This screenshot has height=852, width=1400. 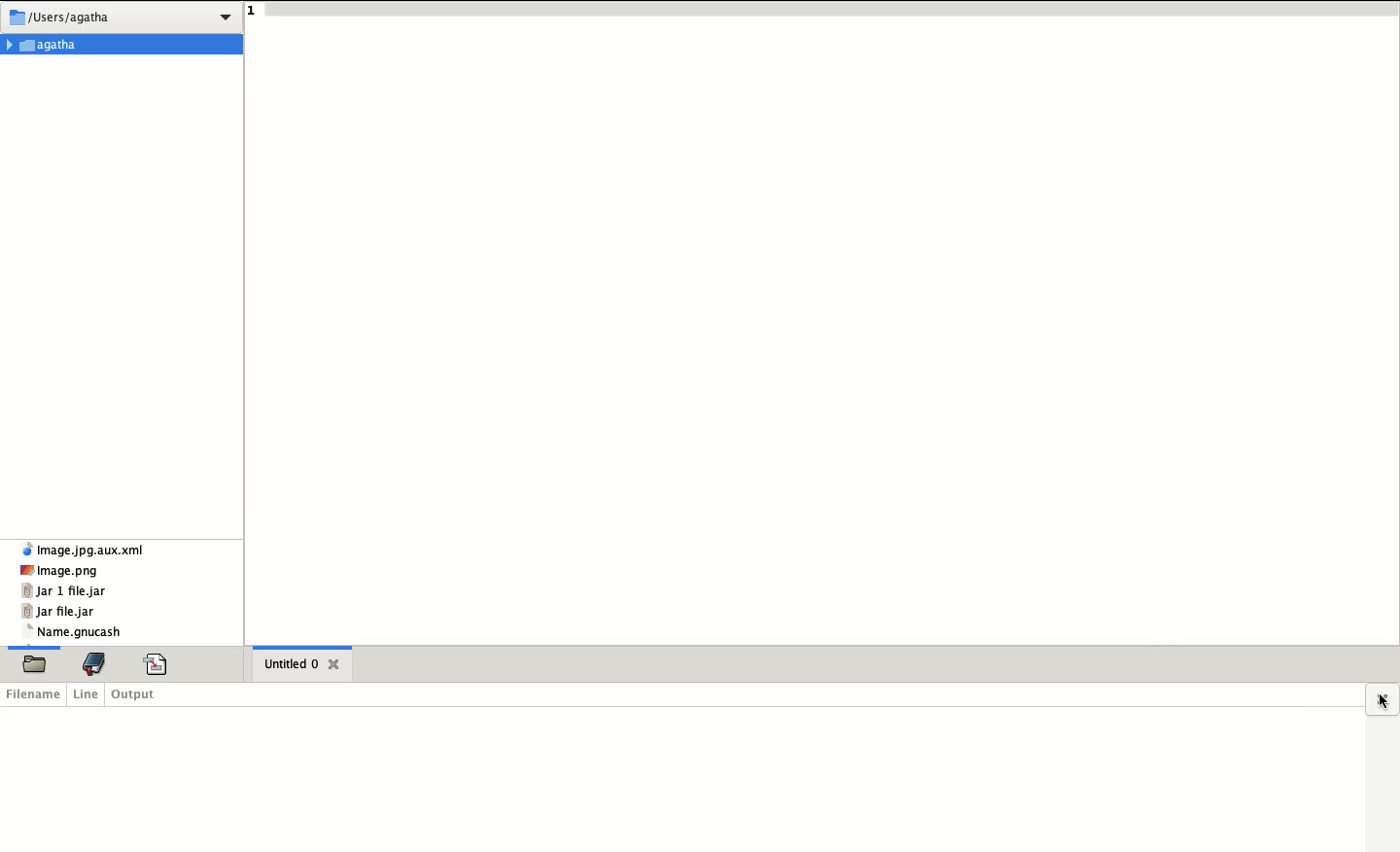 What do you see at coordinates (122, 18) in the screenshot?
I see `/users/Agatha` at bounding box center [122, 18].